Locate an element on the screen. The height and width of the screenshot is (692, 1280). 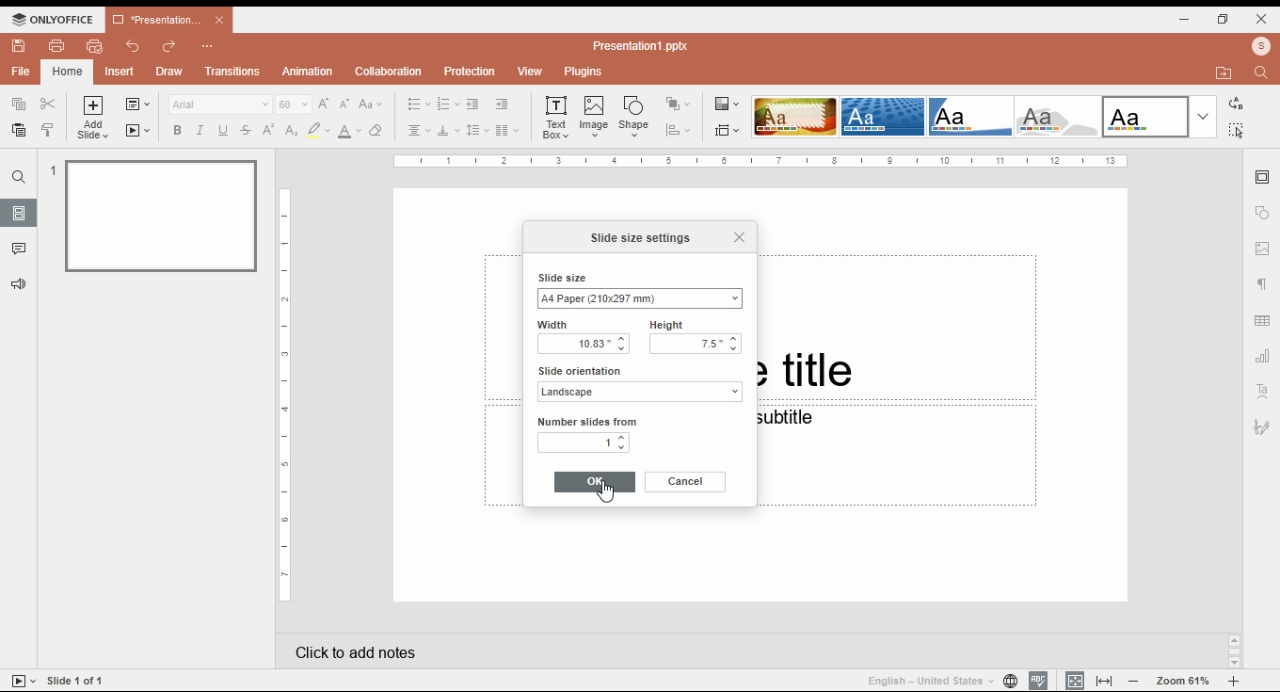
chart settings is located at coordinates (1264, 356).